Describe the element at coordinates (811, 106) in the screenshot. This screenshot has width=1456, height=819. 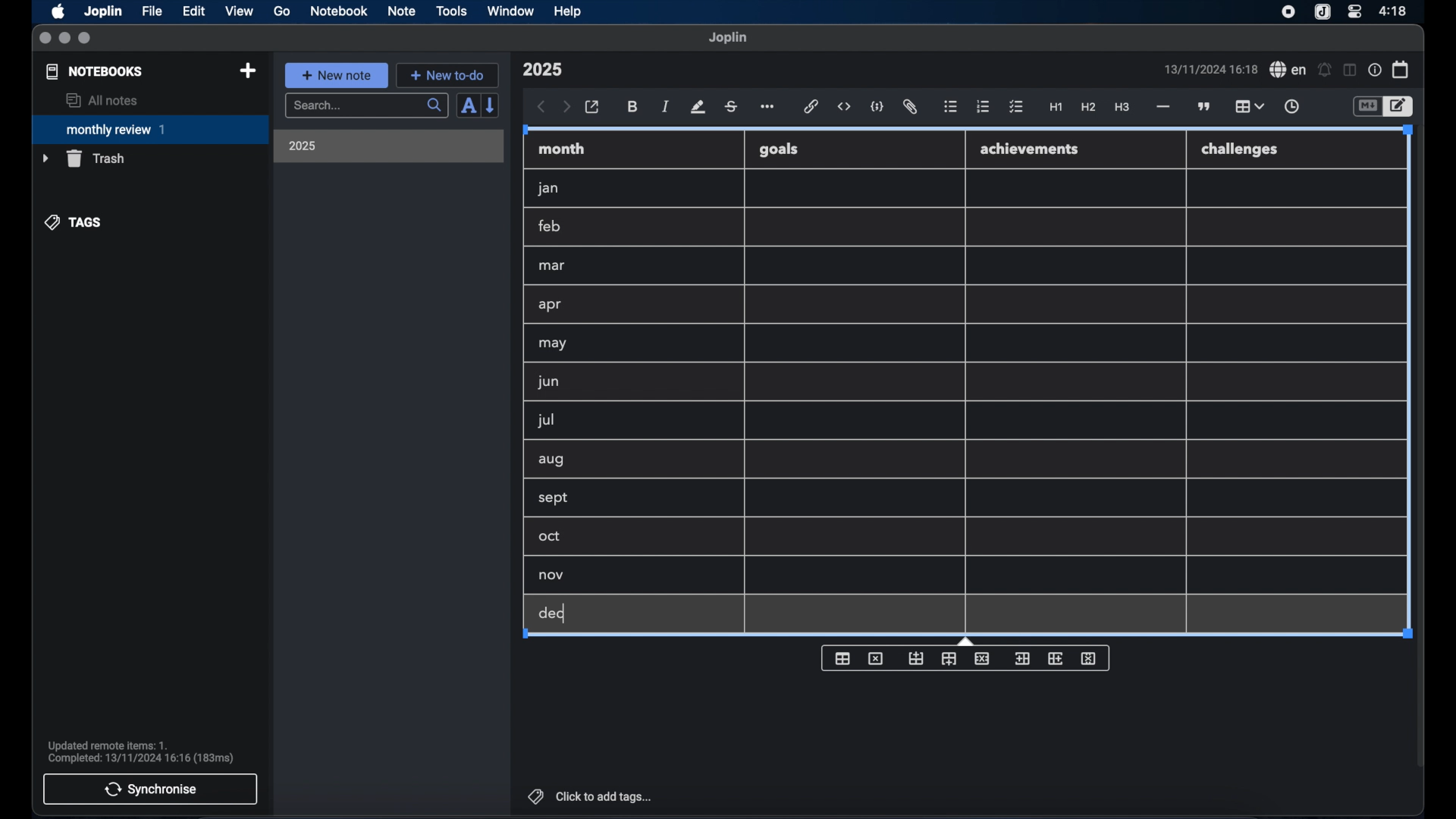
I see `hyperlink` at that location.